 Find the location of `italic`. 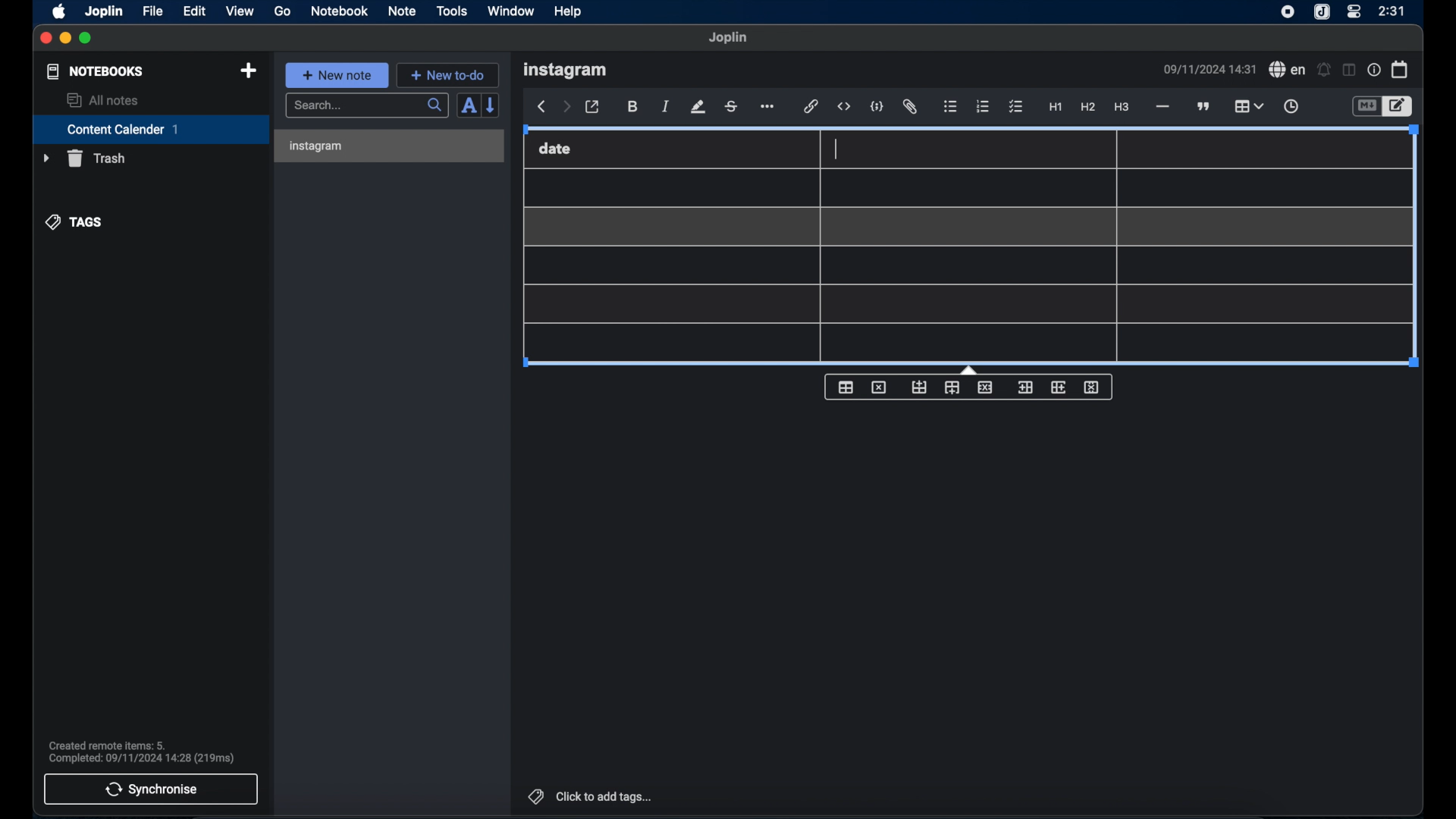

italic is located at coordinates (665, 107).